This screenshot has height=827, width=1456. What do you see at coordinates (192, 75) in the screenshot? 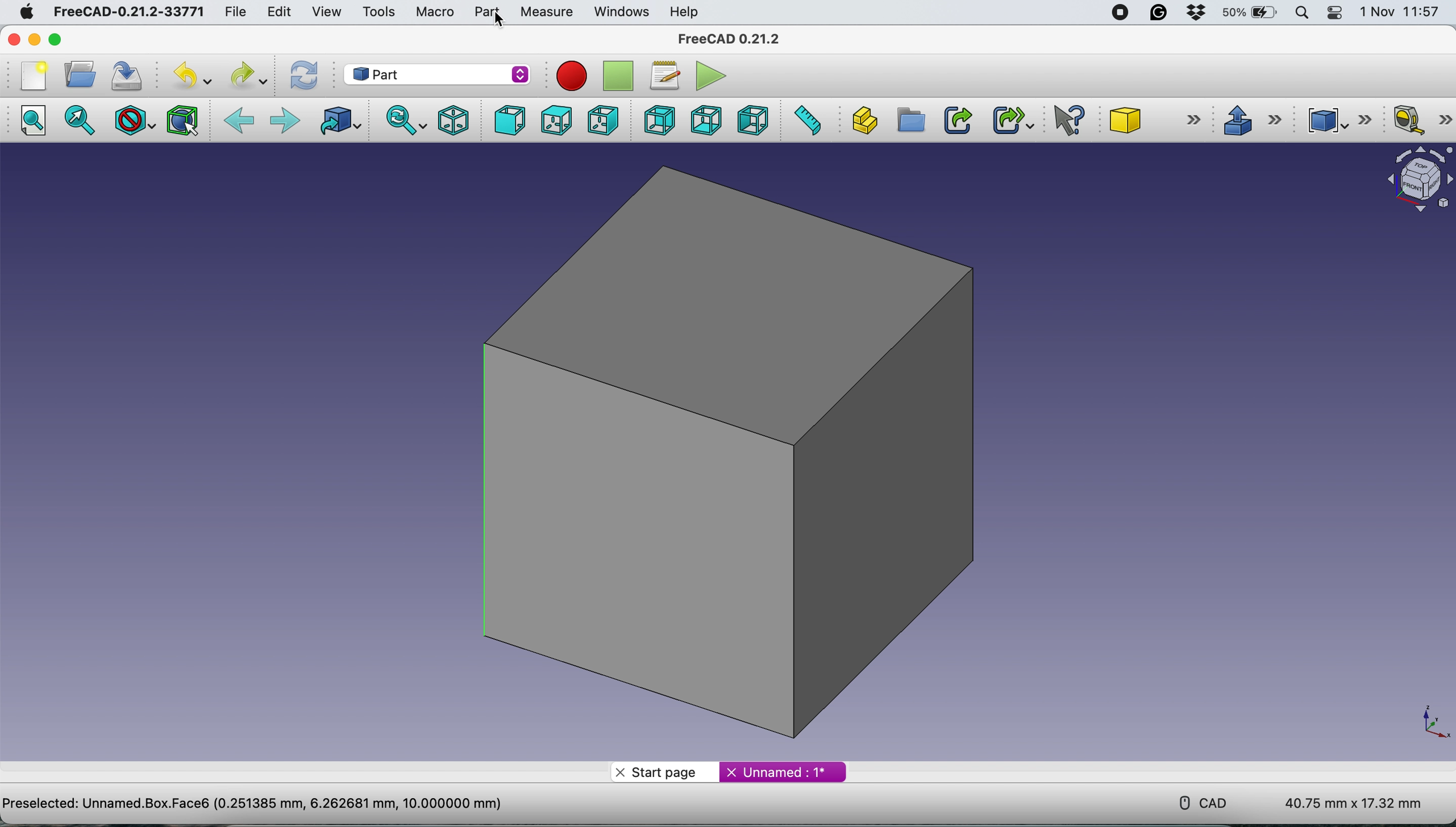
I see `undo` at bounding box center [192, 75].